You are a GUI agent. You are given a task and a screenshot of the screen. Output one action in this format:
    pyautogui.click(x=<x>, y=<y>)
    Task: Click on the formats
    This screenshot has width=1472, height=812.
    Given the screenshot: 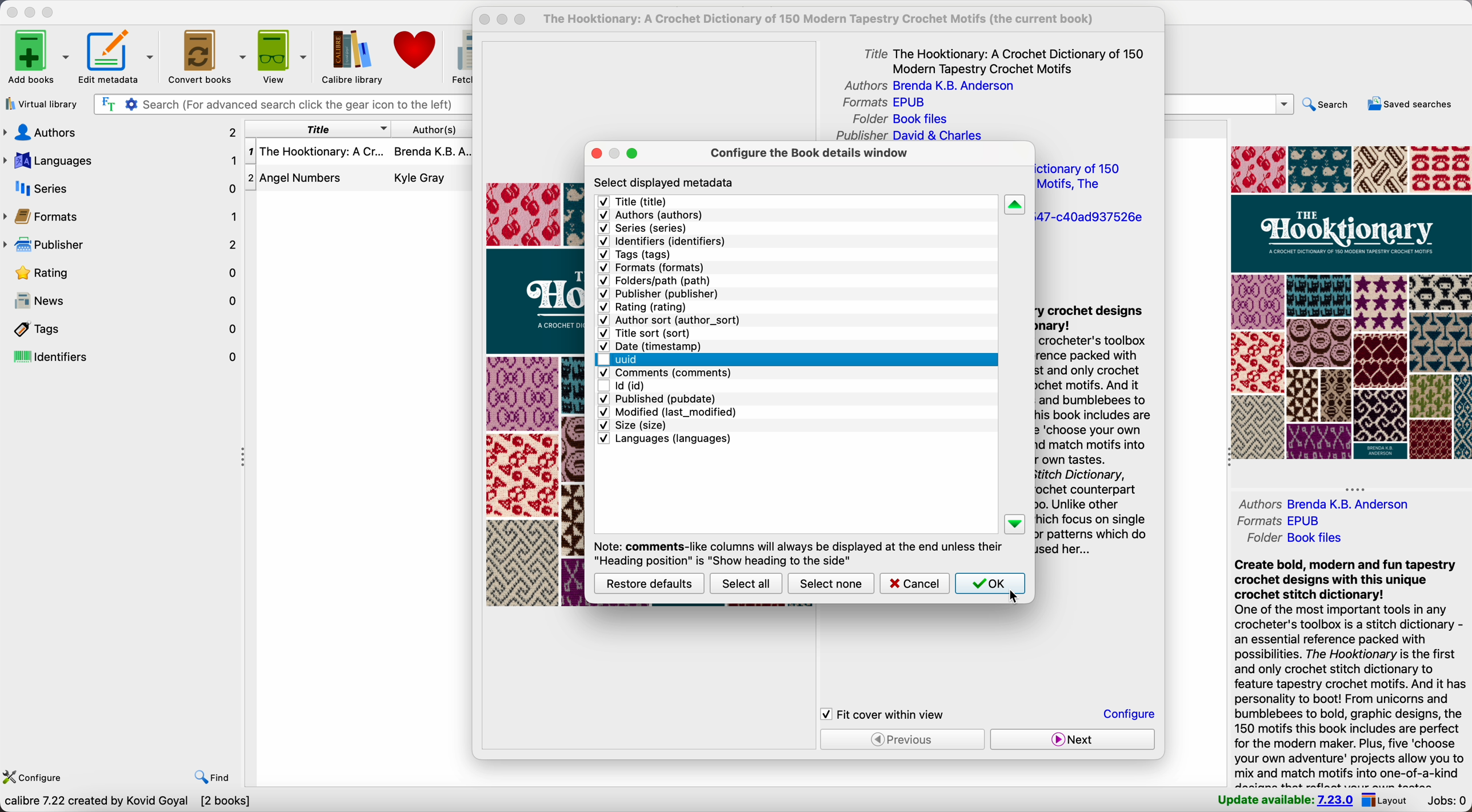 What is the action you would take?
    pyautogui.click(x=883, y=103)
    